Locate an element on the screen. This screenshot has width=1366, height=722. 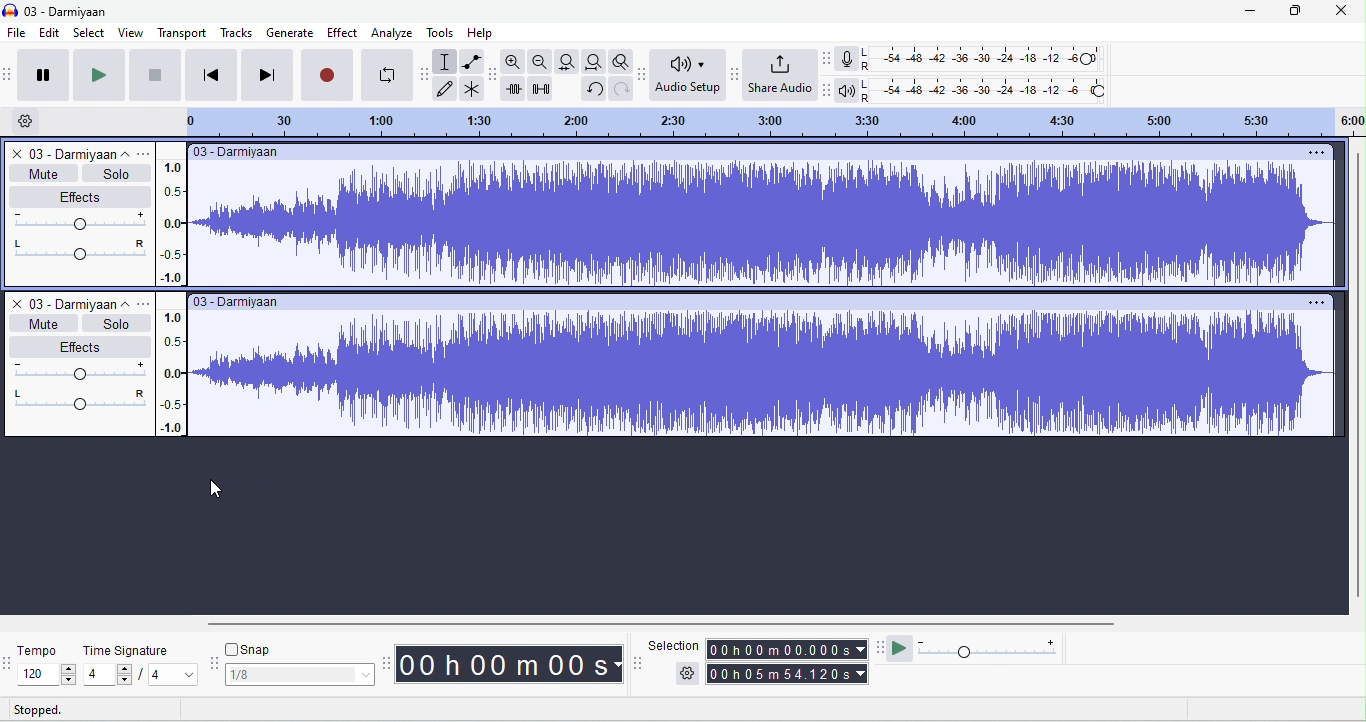
audio set up tool bar is located at coordinates (642, 73).